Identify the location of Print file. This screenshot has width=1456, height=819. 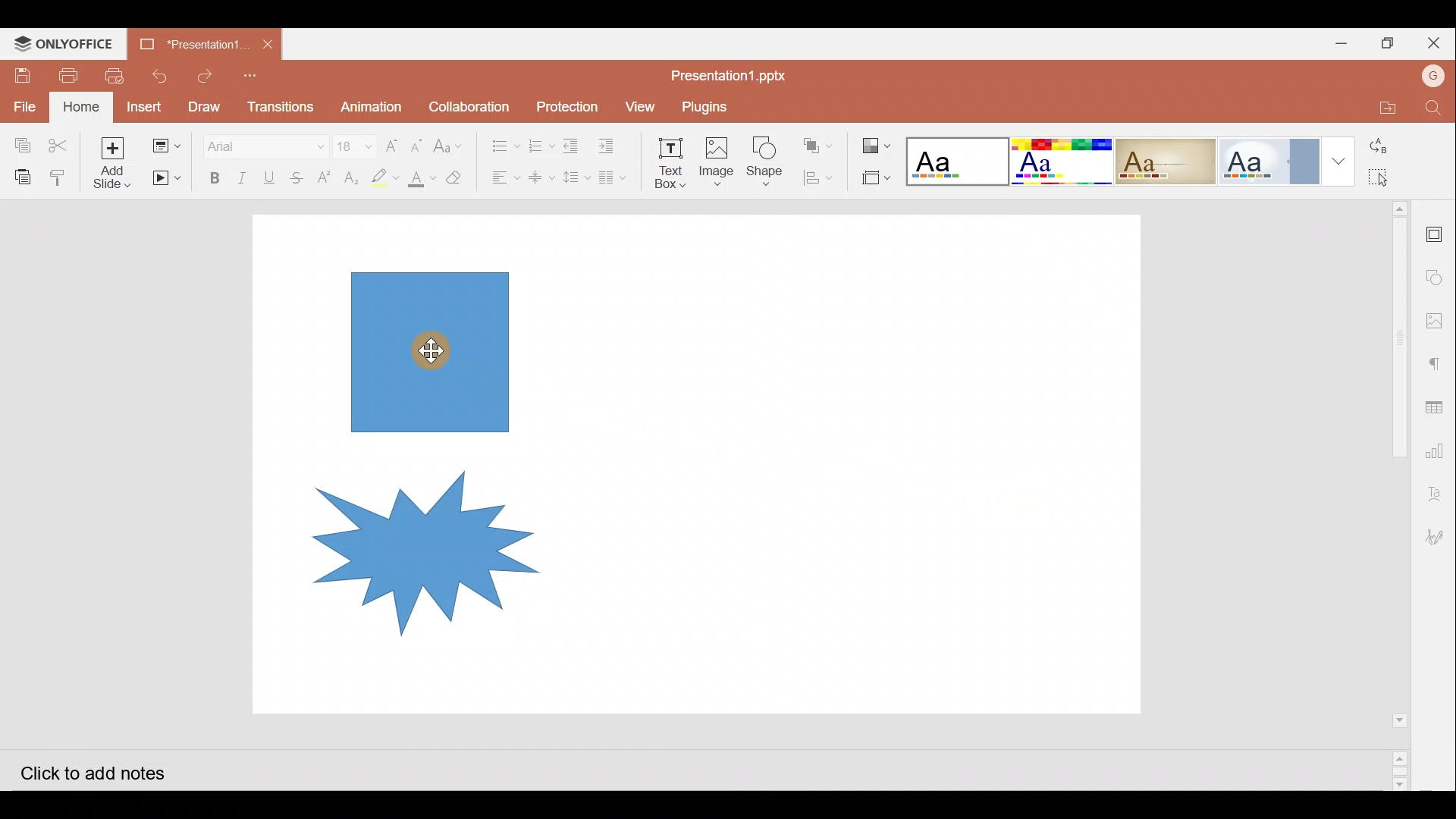
(73, 74).